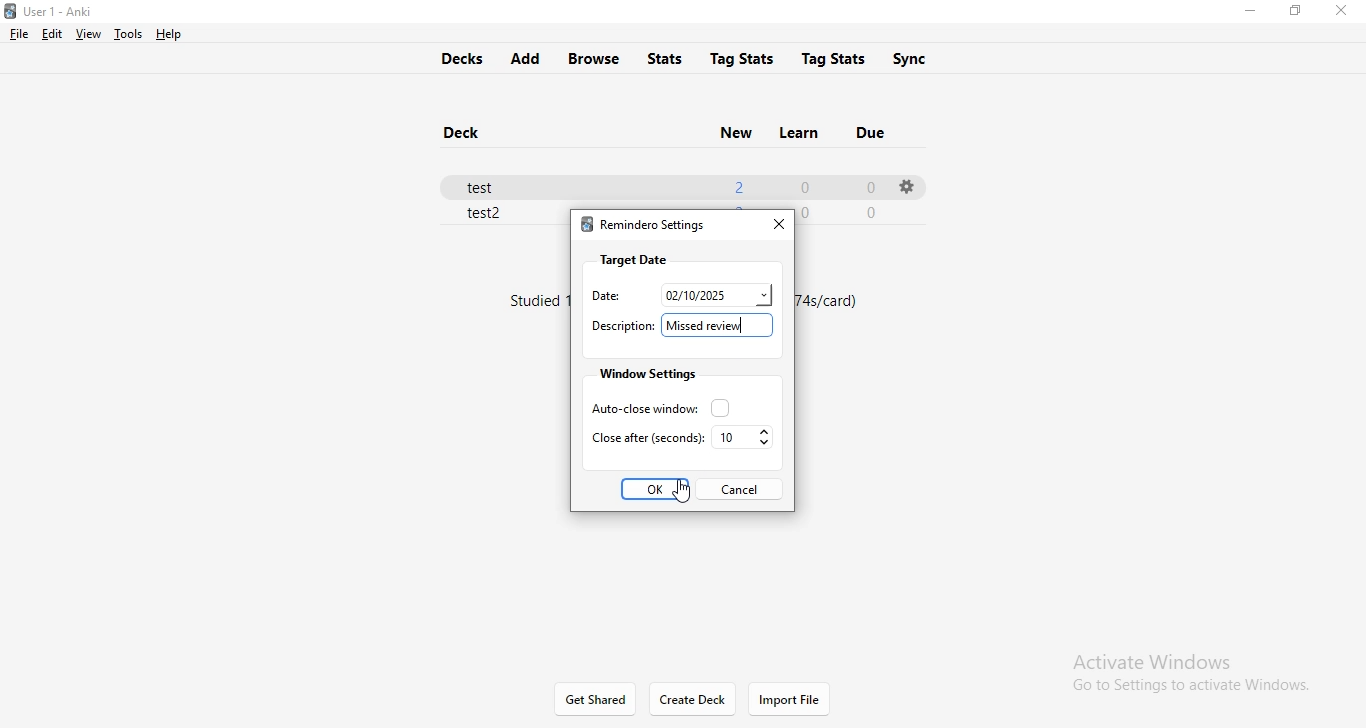 Image resolution: width=1366 pixels, height=728 pixels. Describe the element at coordinates (642, 227) in the screenshot. I see `remindero settings` at that location.